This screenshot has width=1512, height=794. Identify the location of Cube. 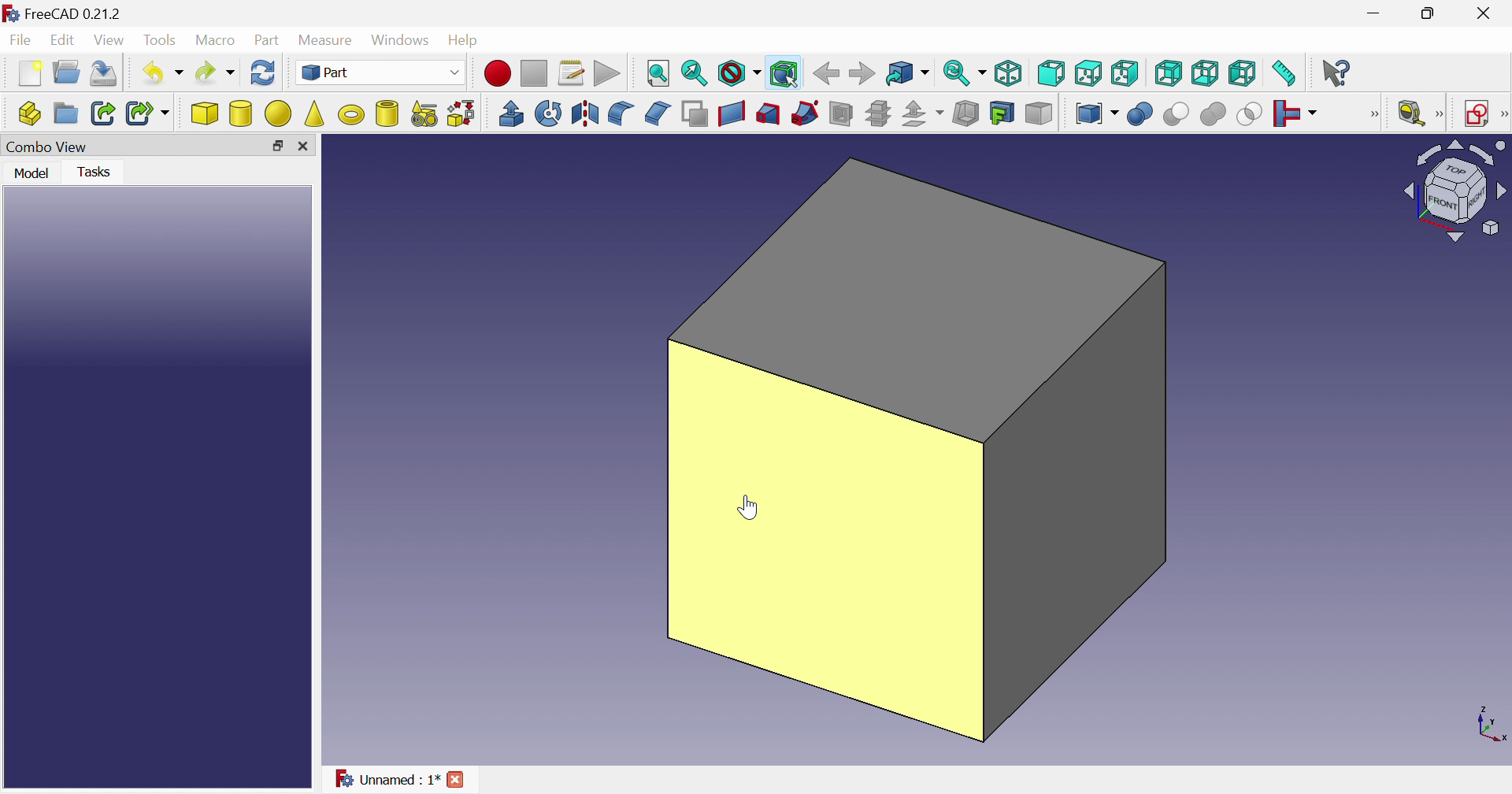
(916, 451).